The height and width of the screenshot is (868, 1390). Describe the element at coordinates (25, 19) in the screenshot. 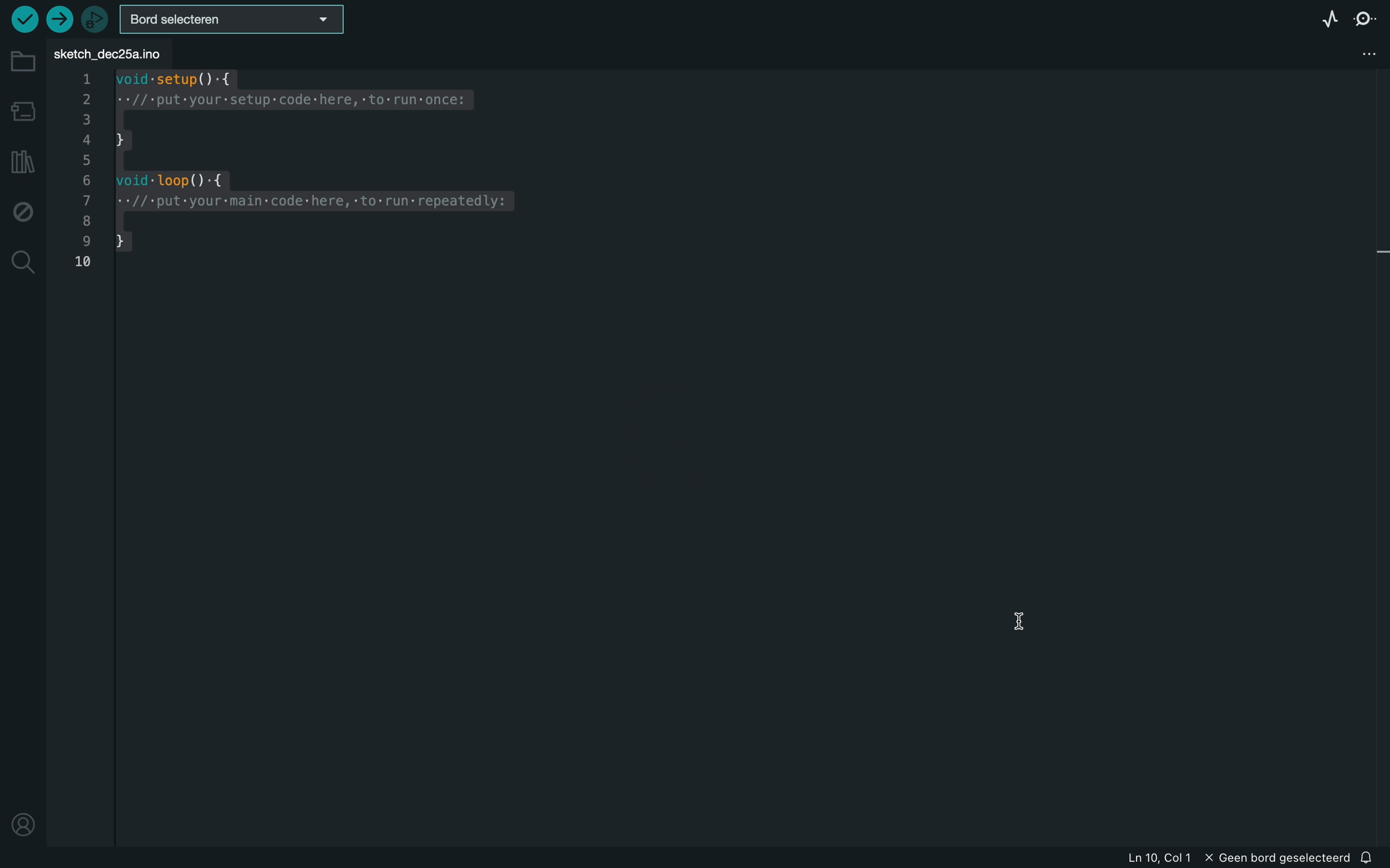

I see `verify` at that location.